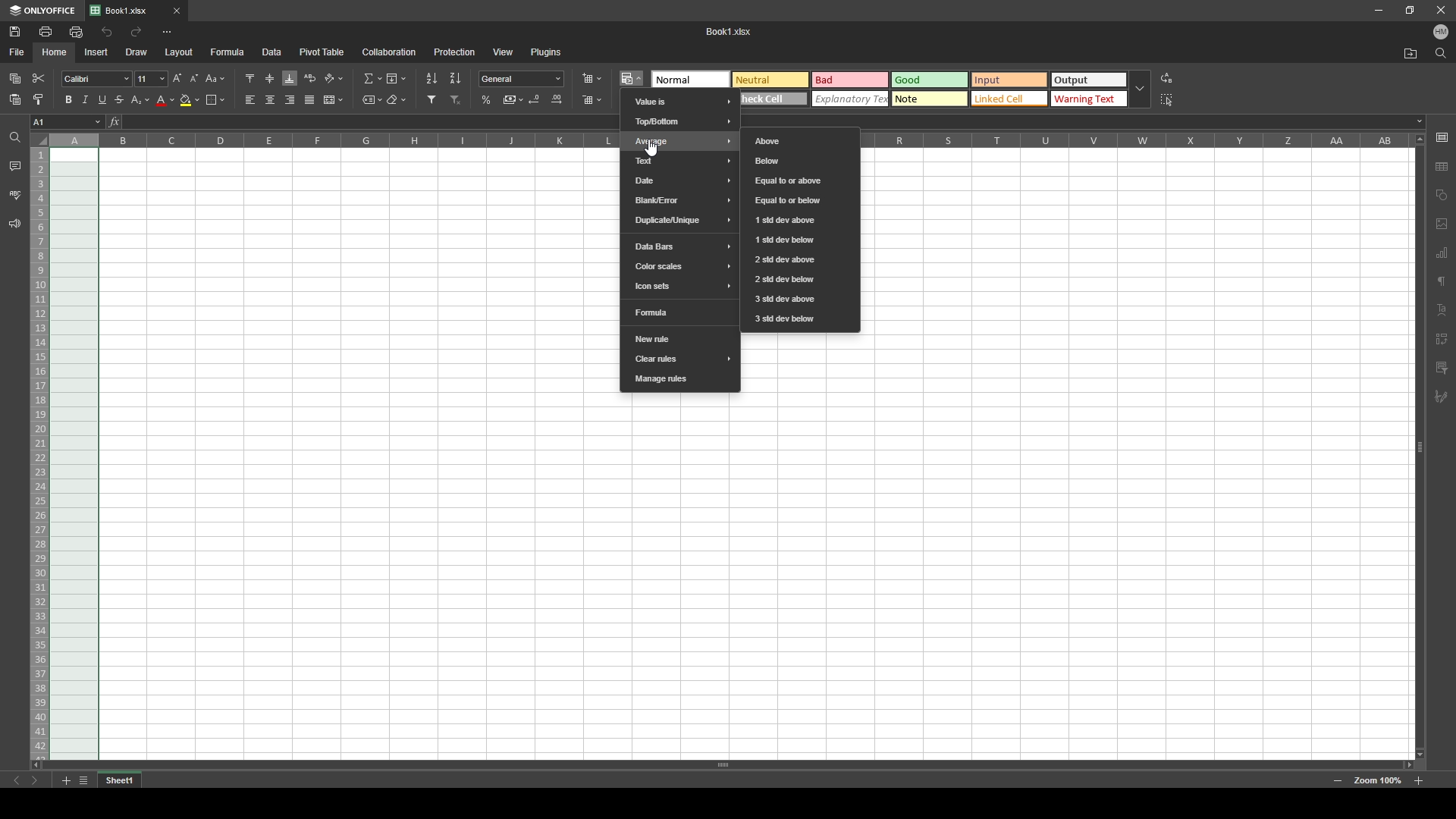 The height and width of the screenshot is (819, 1456). What do you see at coordinates (216, 78) in the screenshot?
I see `change case` at bounding box center [216, 78].